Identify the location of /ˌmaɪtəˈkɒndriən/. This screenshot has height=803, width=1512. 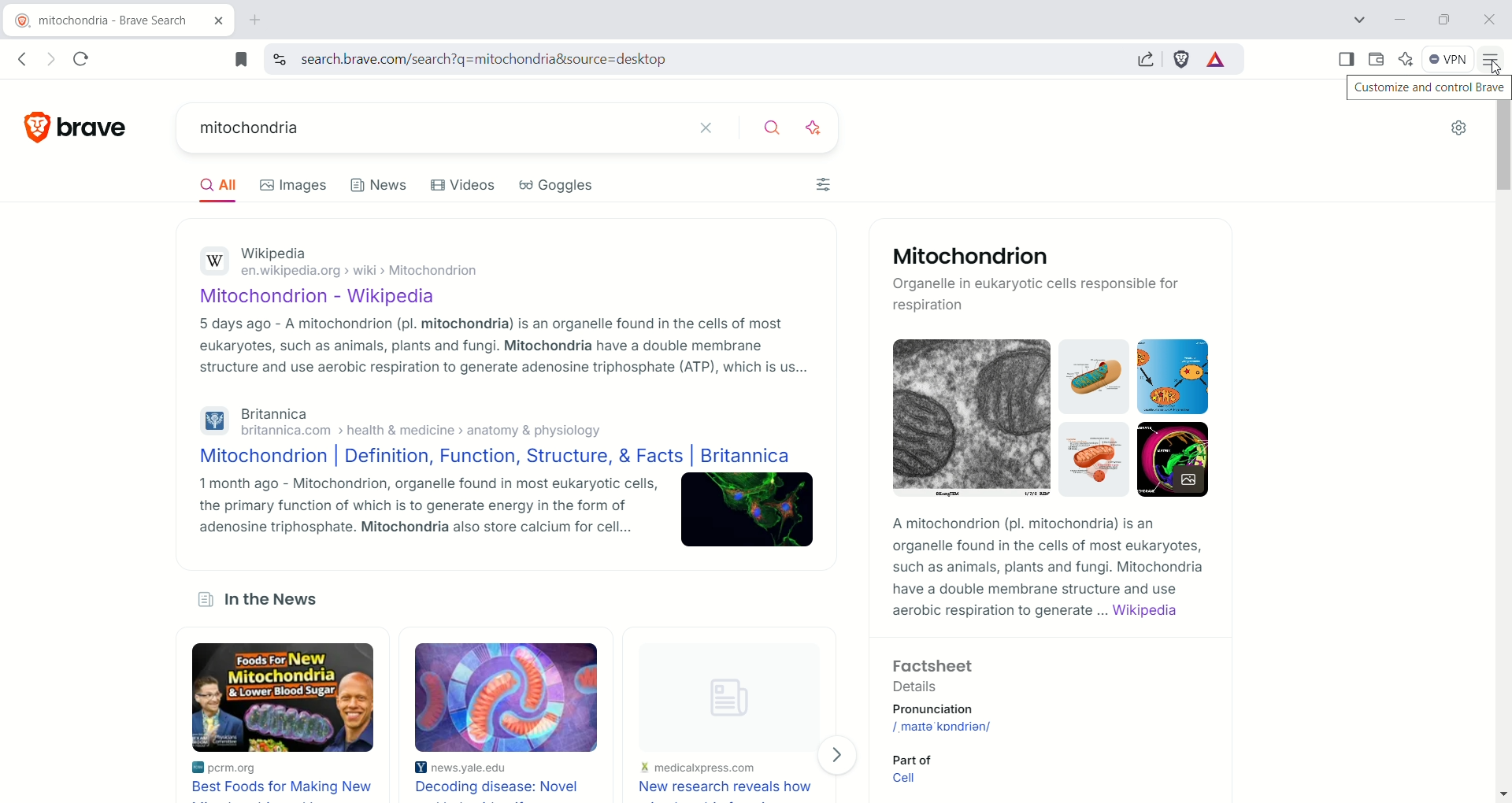
(954, 727).